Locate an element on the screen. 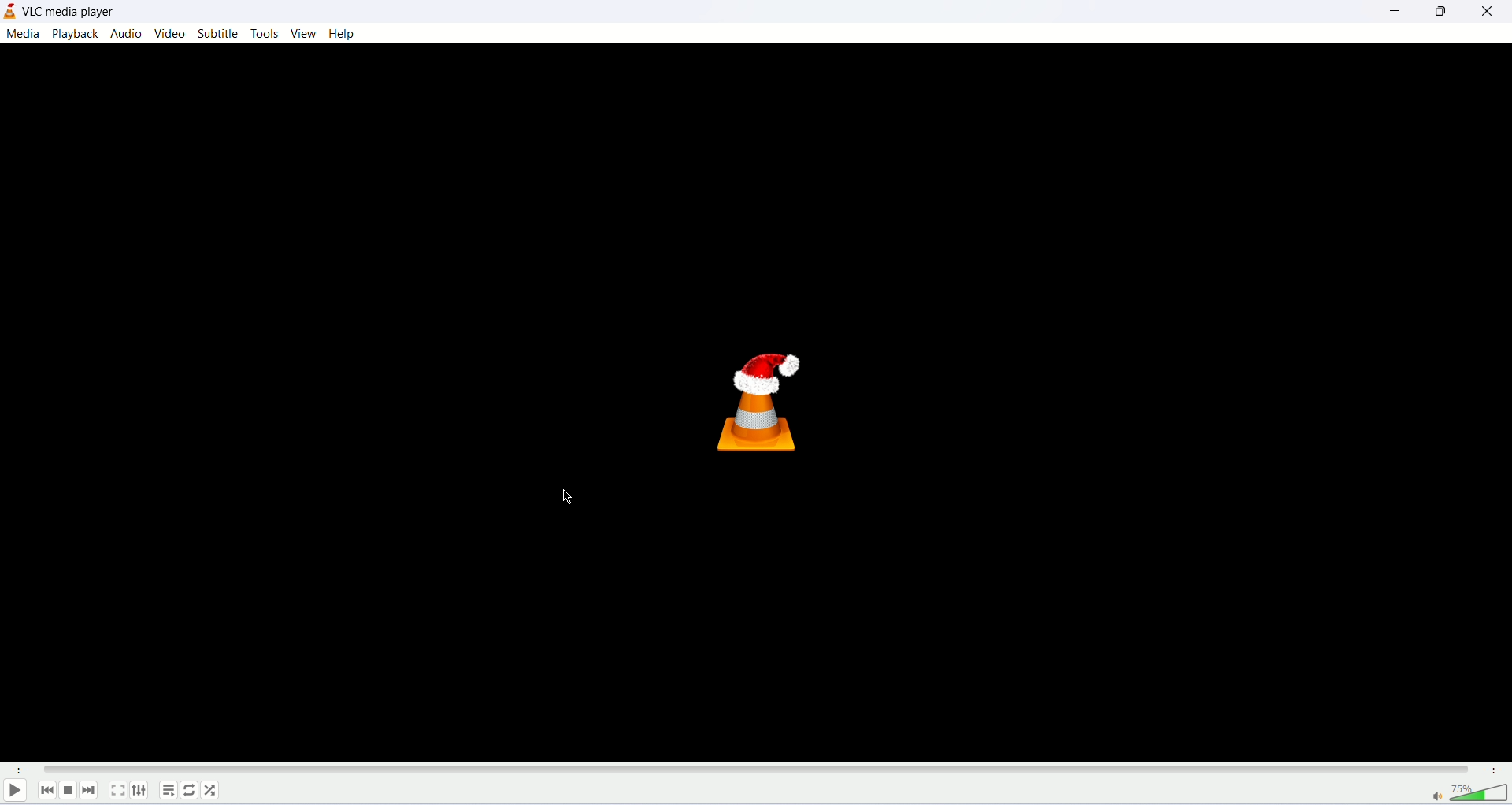 The height and width of the screenshot is (805, 1512). mouse cursor is located at coordinates (566, 497).